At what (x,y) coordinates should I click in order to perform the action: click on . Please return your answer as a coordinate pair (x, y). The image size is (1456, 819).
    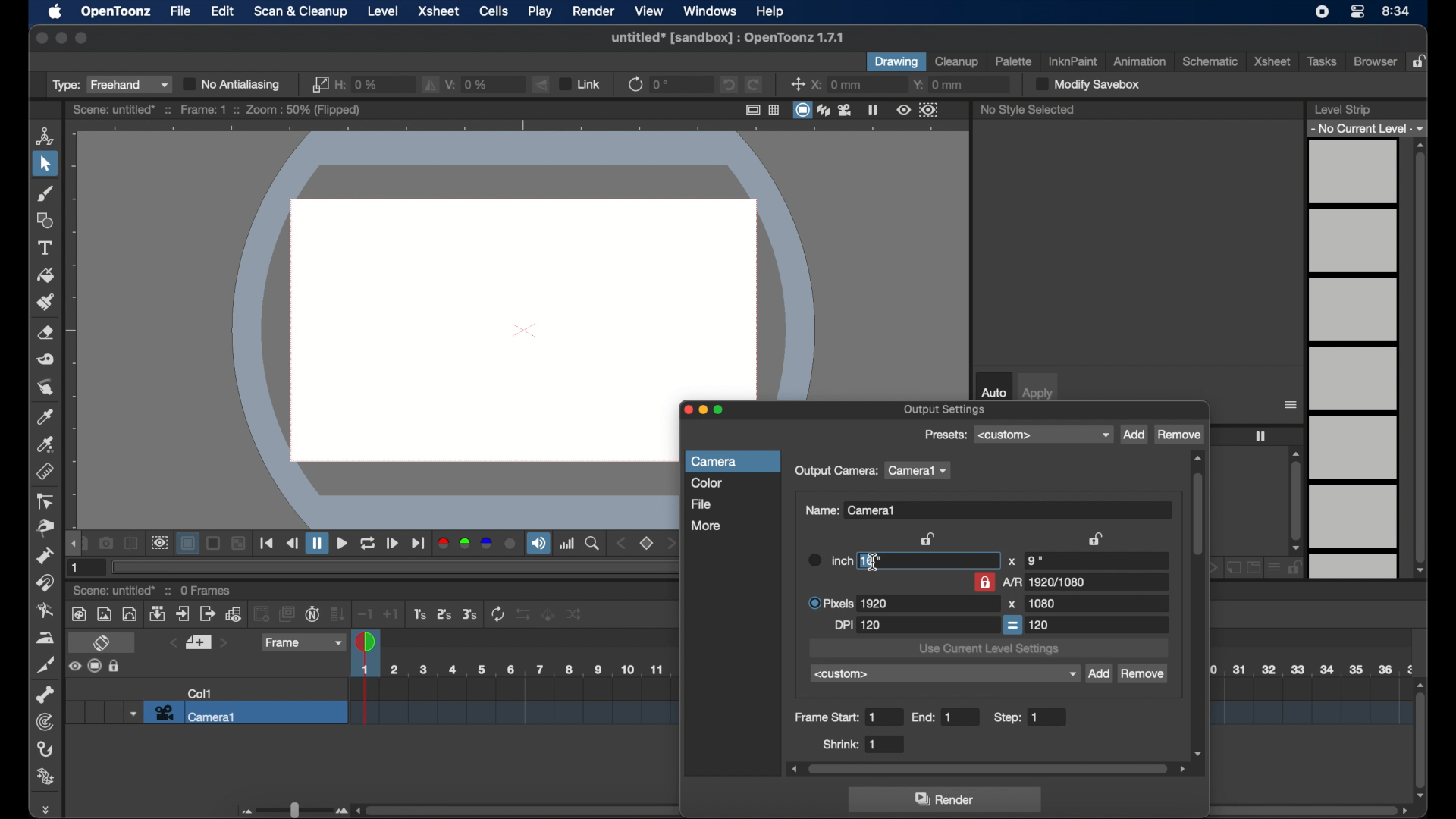
    Looking at the image, I should click on (289, 614).